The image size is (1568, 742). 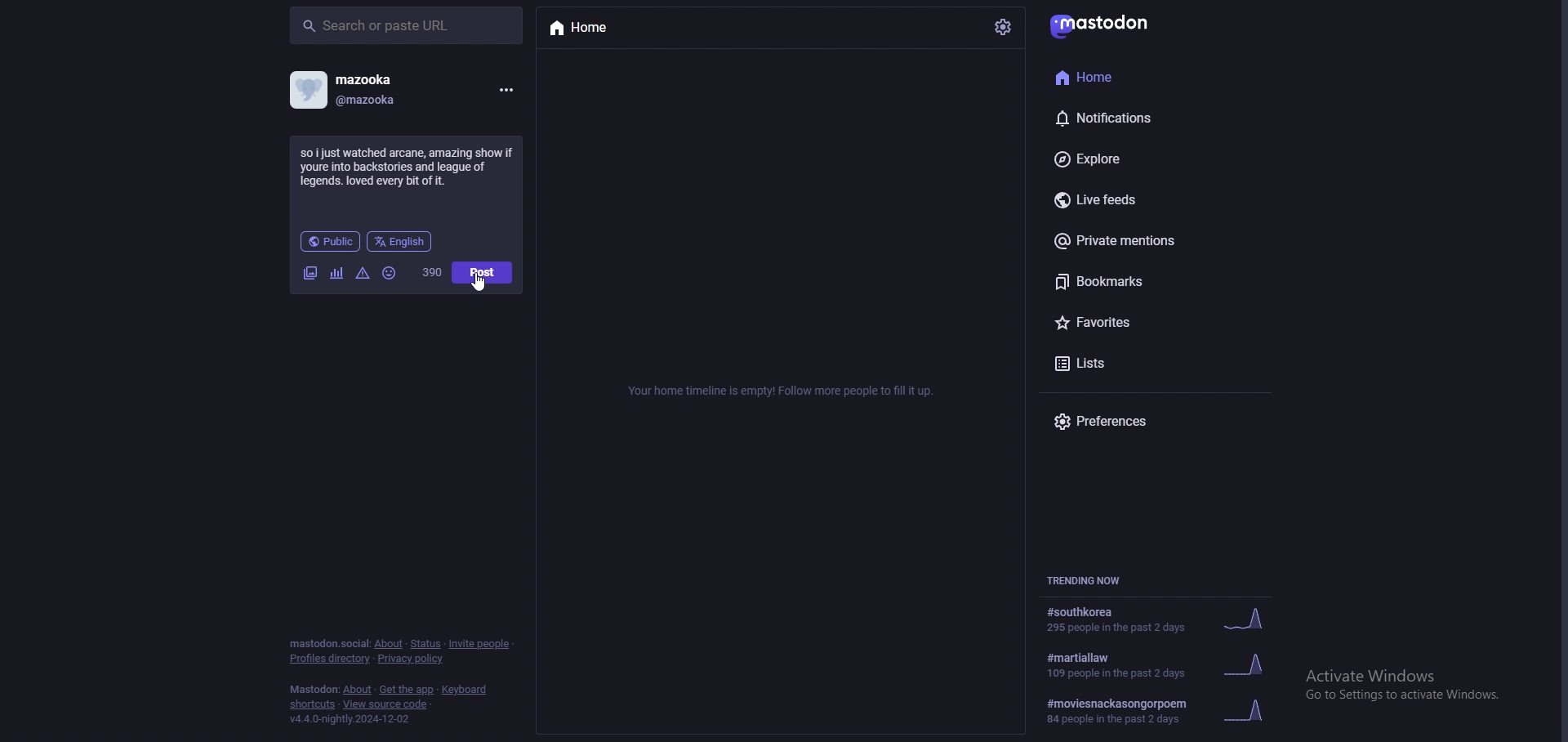 I want to click on trending, so click(x=1169, y=711).